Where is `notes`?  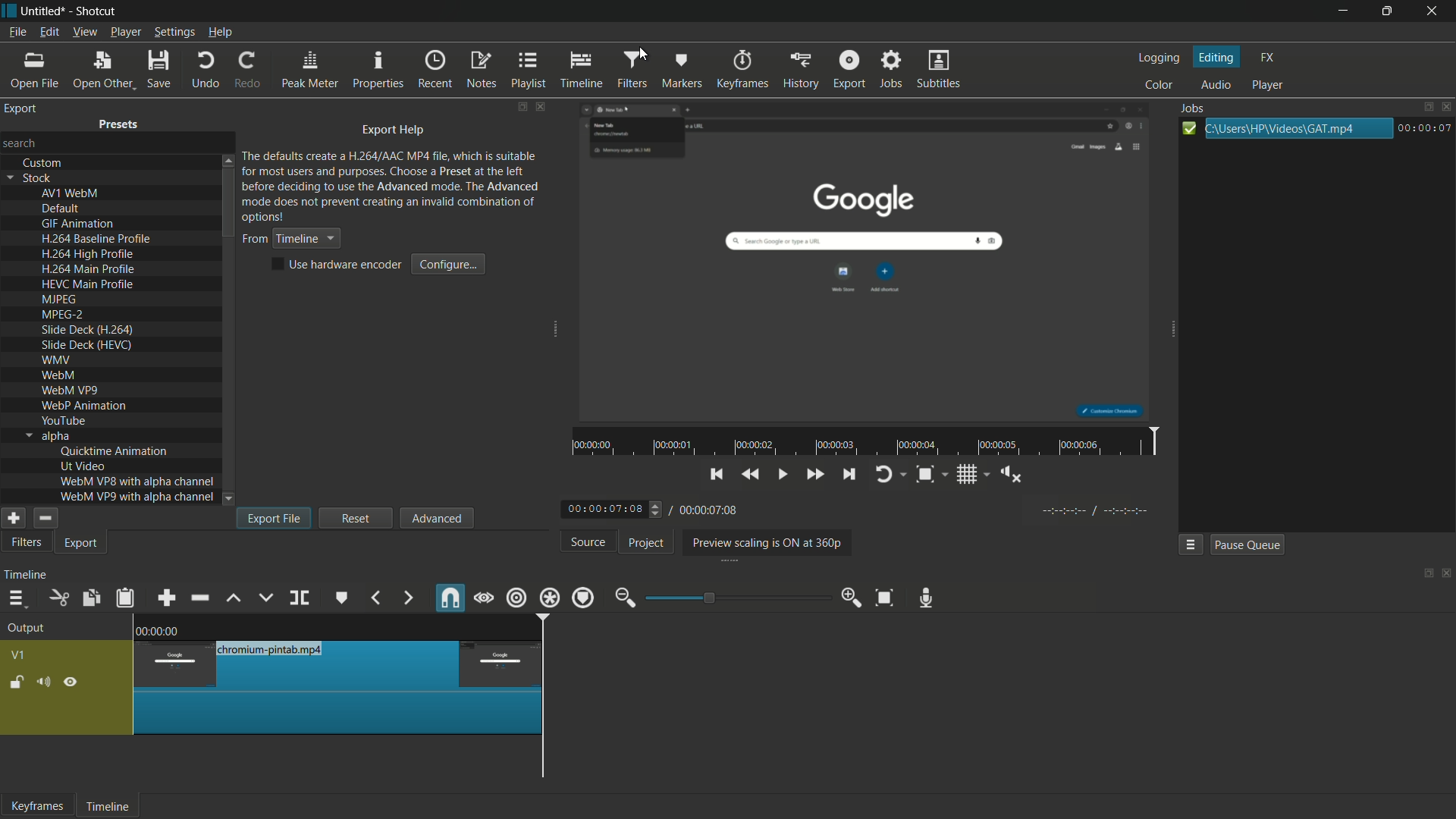 notes is located at coordinates (481, 70).